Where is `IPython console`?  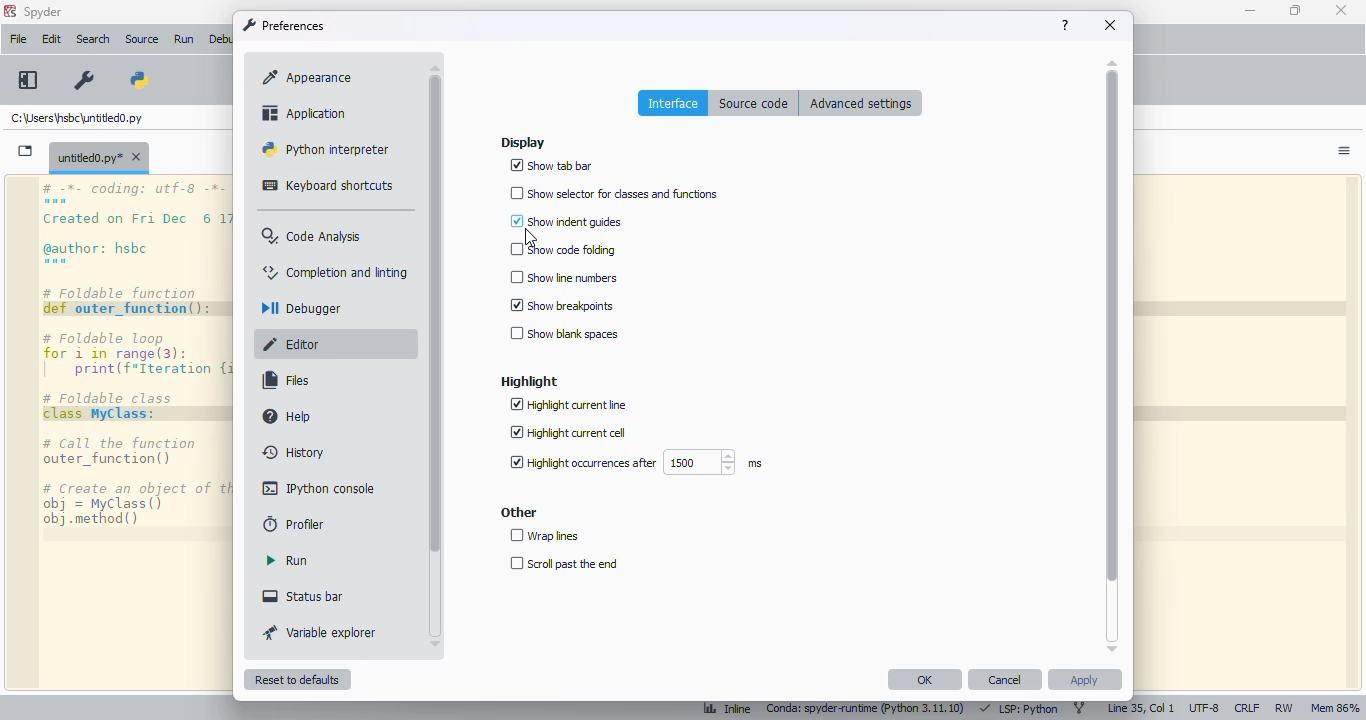
IPython console is located at coordinates (320, 488).